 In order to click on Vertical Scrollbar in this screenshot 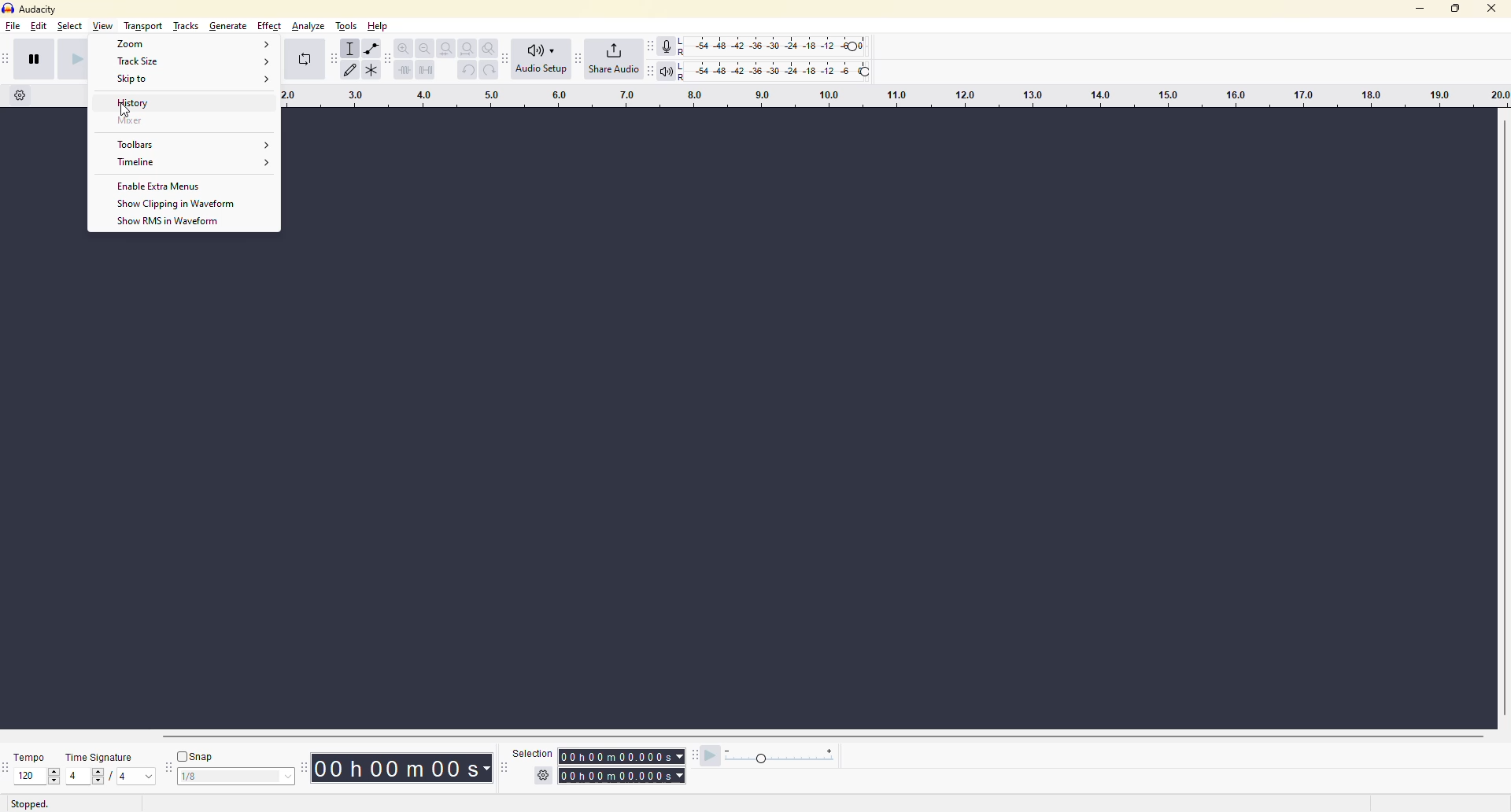, I will do `click(1502, 414)`.